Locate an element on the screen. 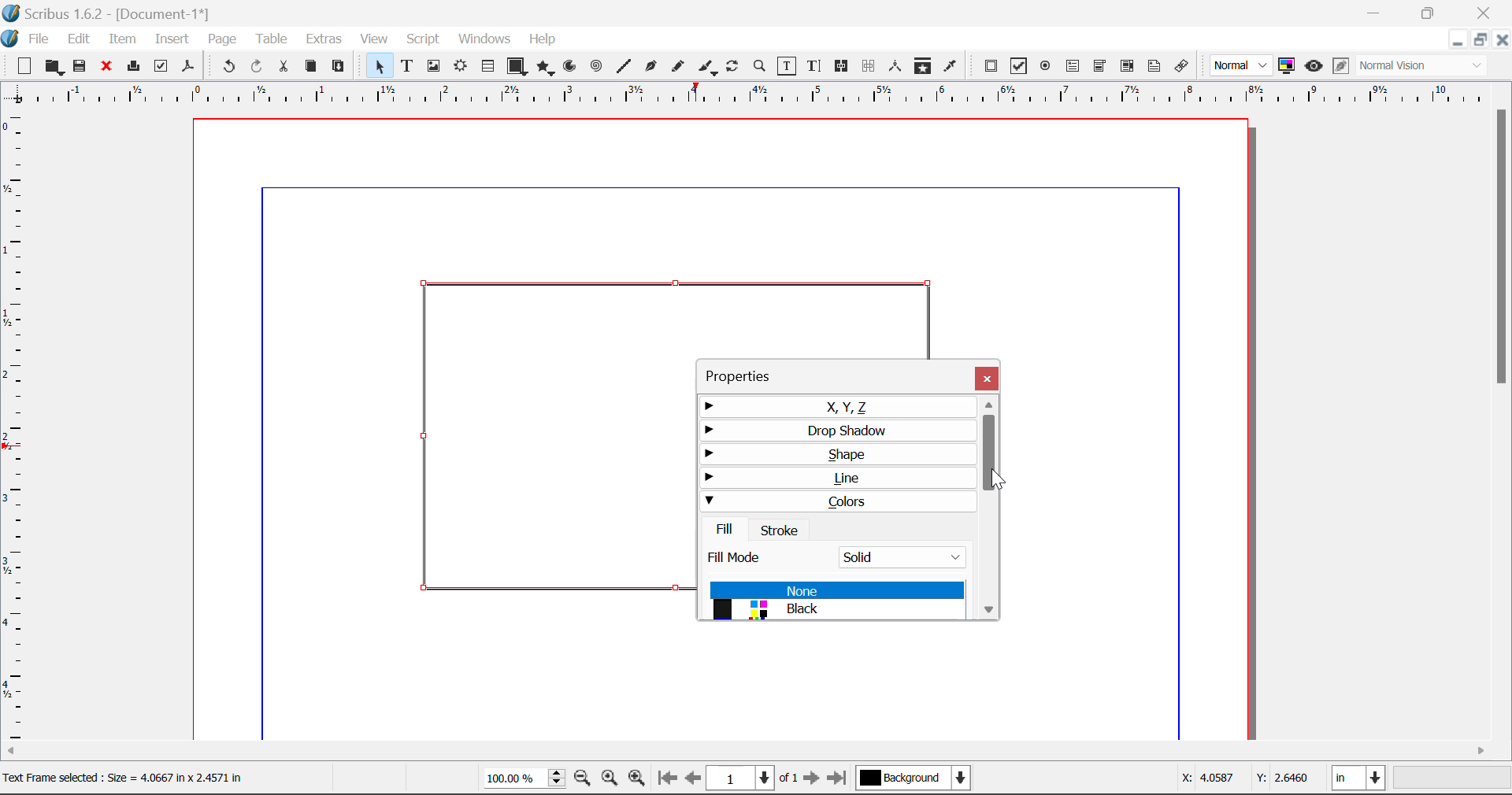  Print is located at coordinates (132, 67).